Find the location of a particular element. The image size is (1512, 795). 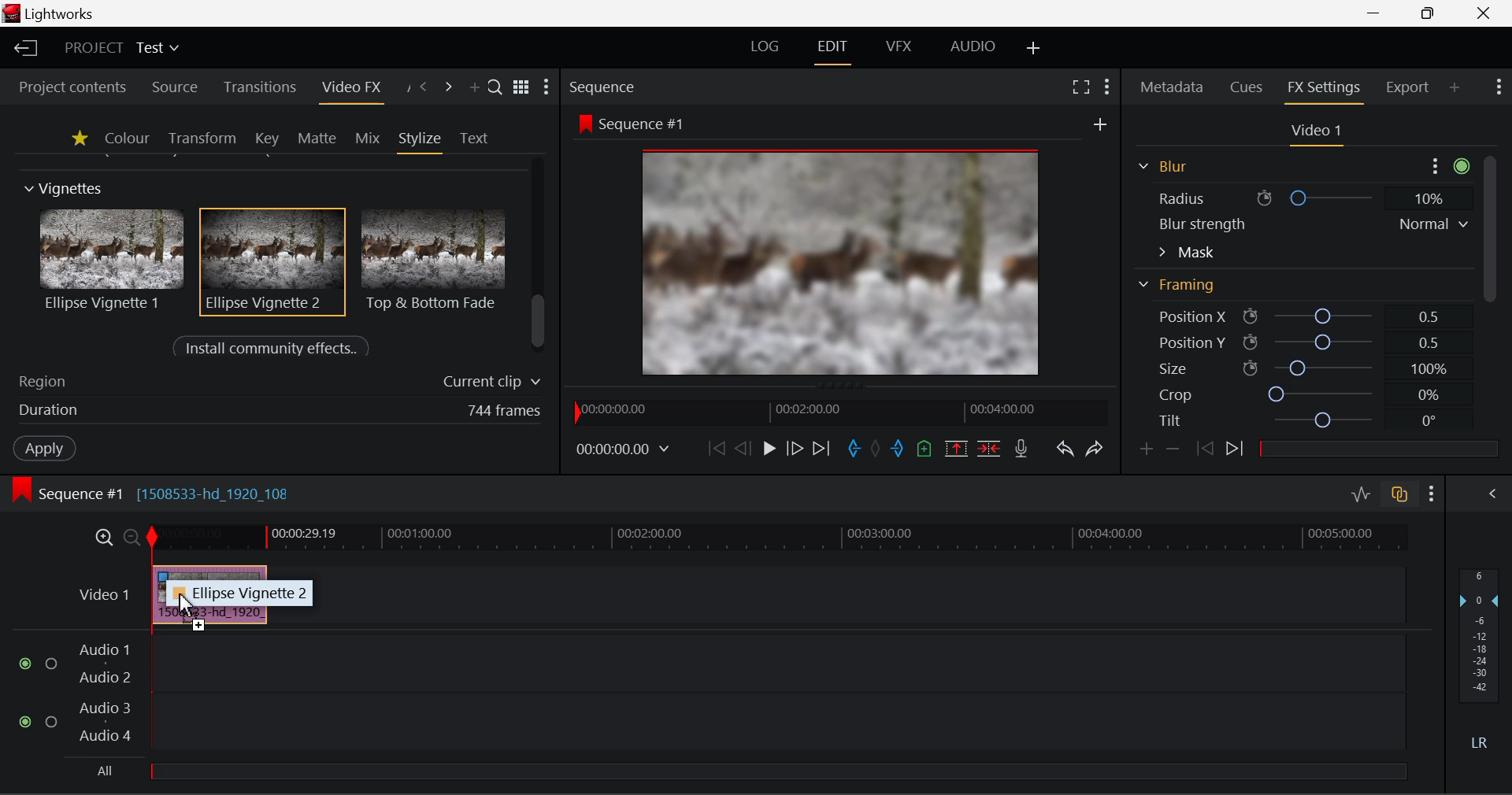

Project Timeline is located at coordinates (779, 538).